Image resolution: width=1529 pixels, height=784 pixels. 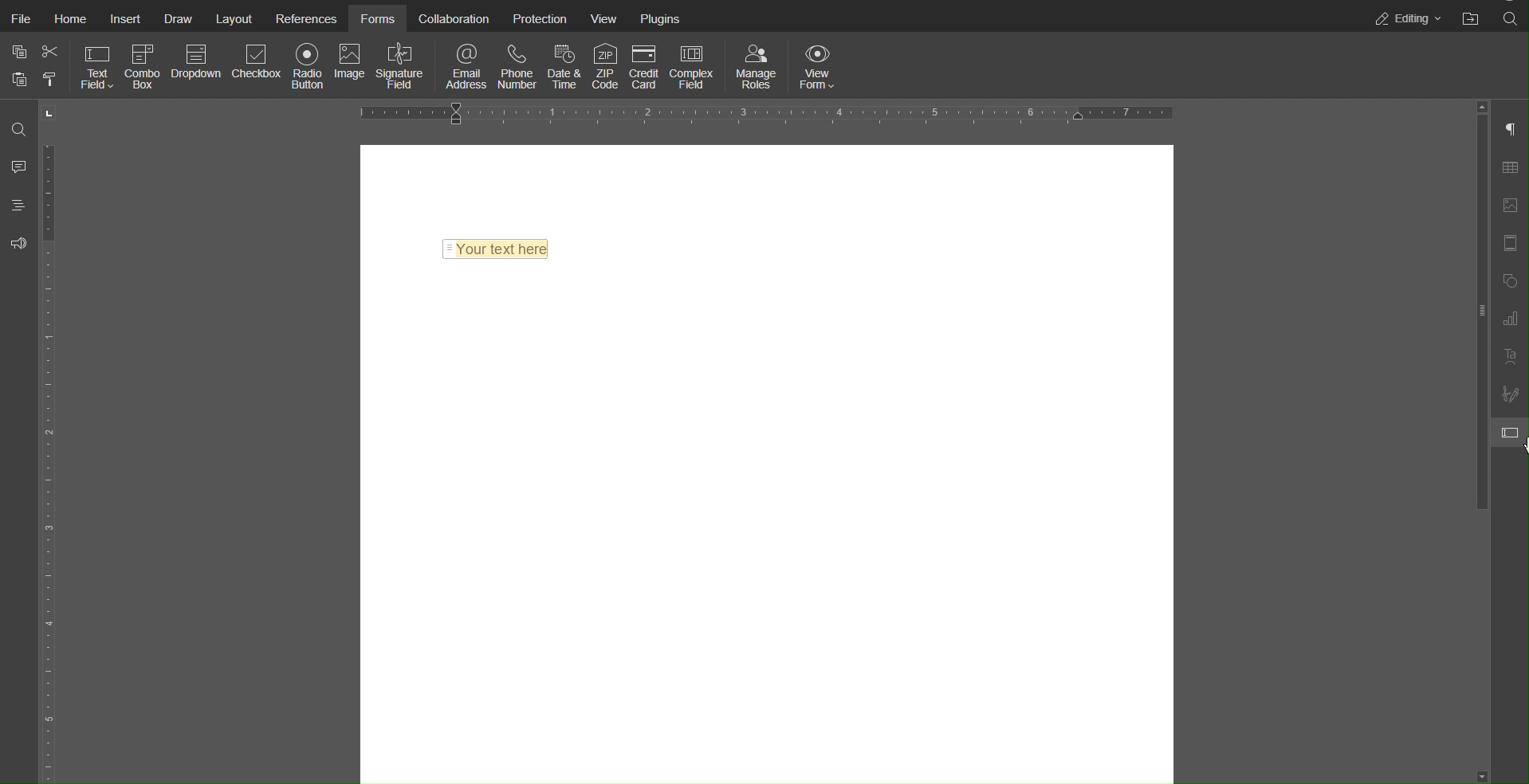 What do you see at coordinates (1519, 448) in the screenshot?
I see `cursor` at bounding box center [1519, 448].